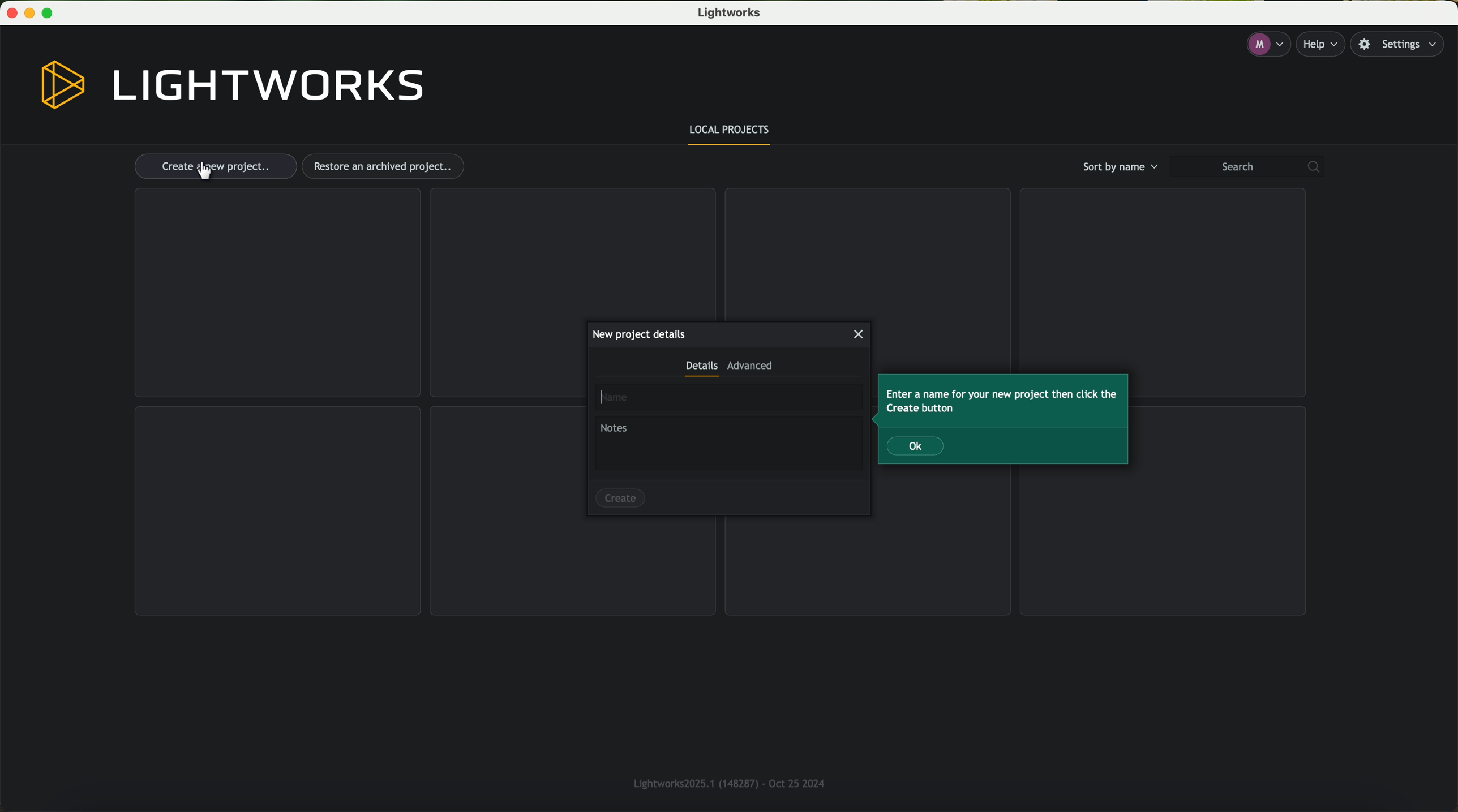  Describe the element at coordinates (728, 398) in the screenshot. I see `type name` at that location.